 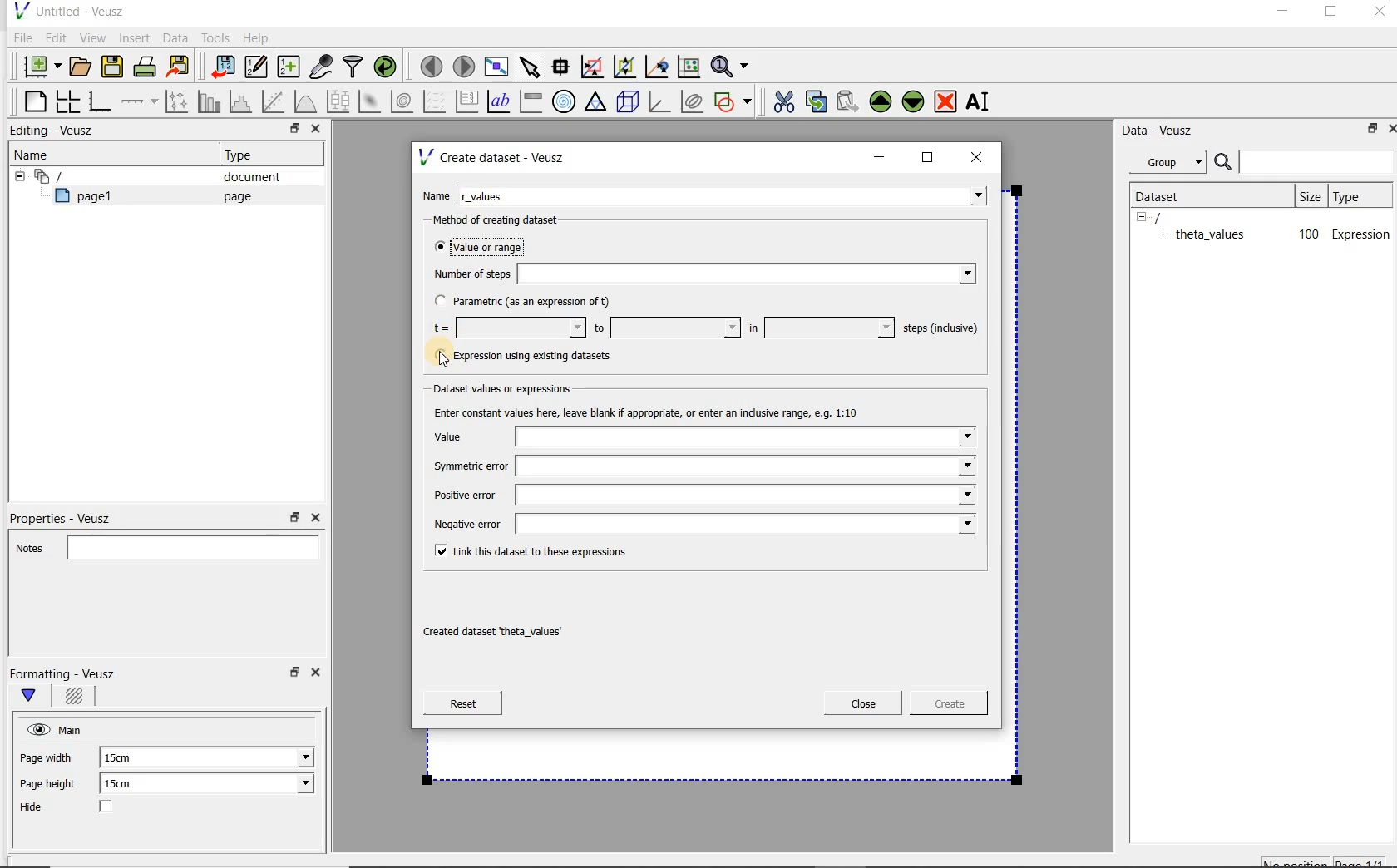 What do you see at coordinates (293, 677) in the screenshot?
I see `restore down` at bounding box center [293, 677].